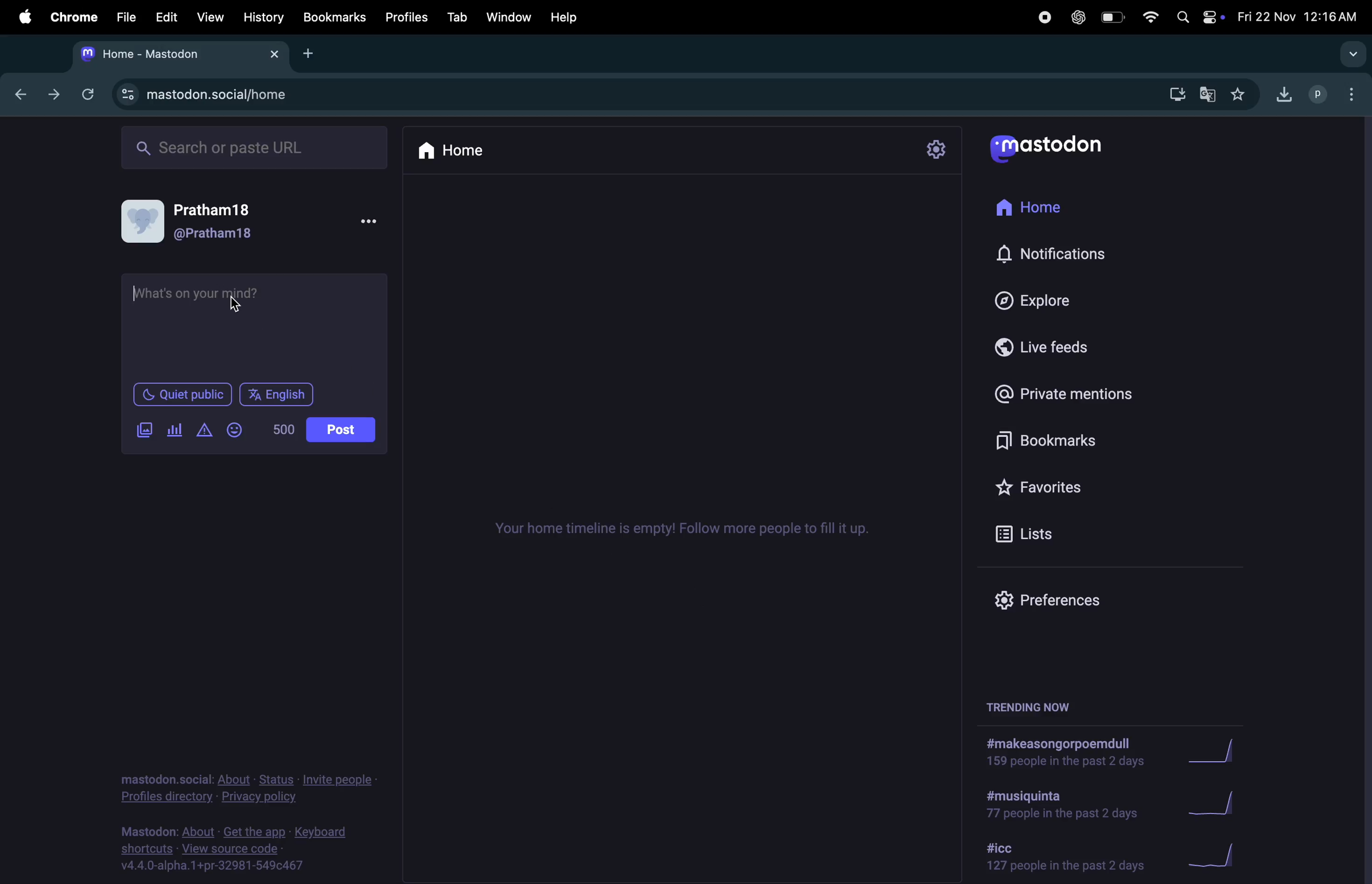  I want to click on apple menu, so click(25, 15).